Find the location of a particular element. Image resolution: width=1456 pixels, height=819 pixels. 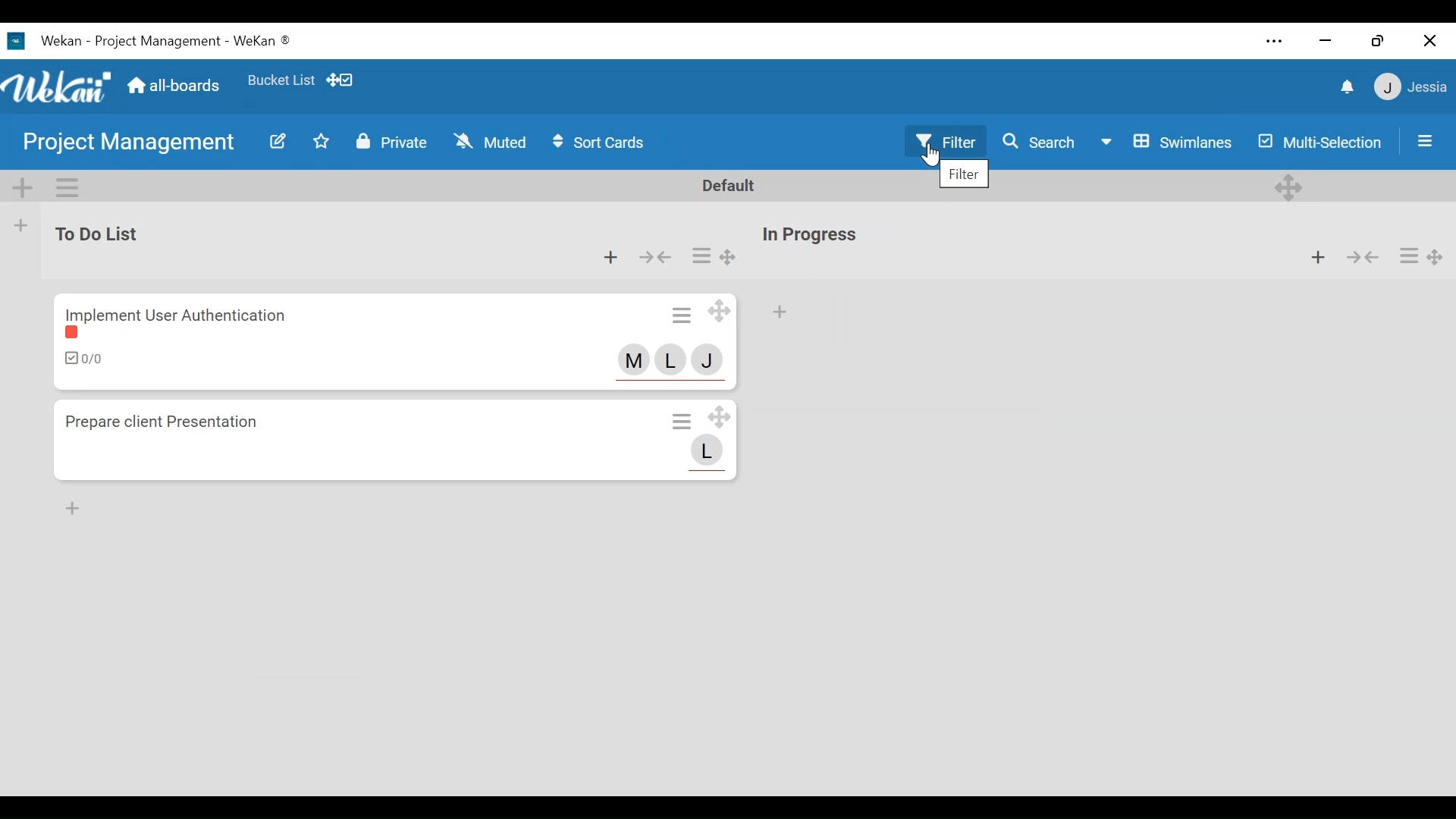

Desktop drag handles is located at coordinates (724, 313).